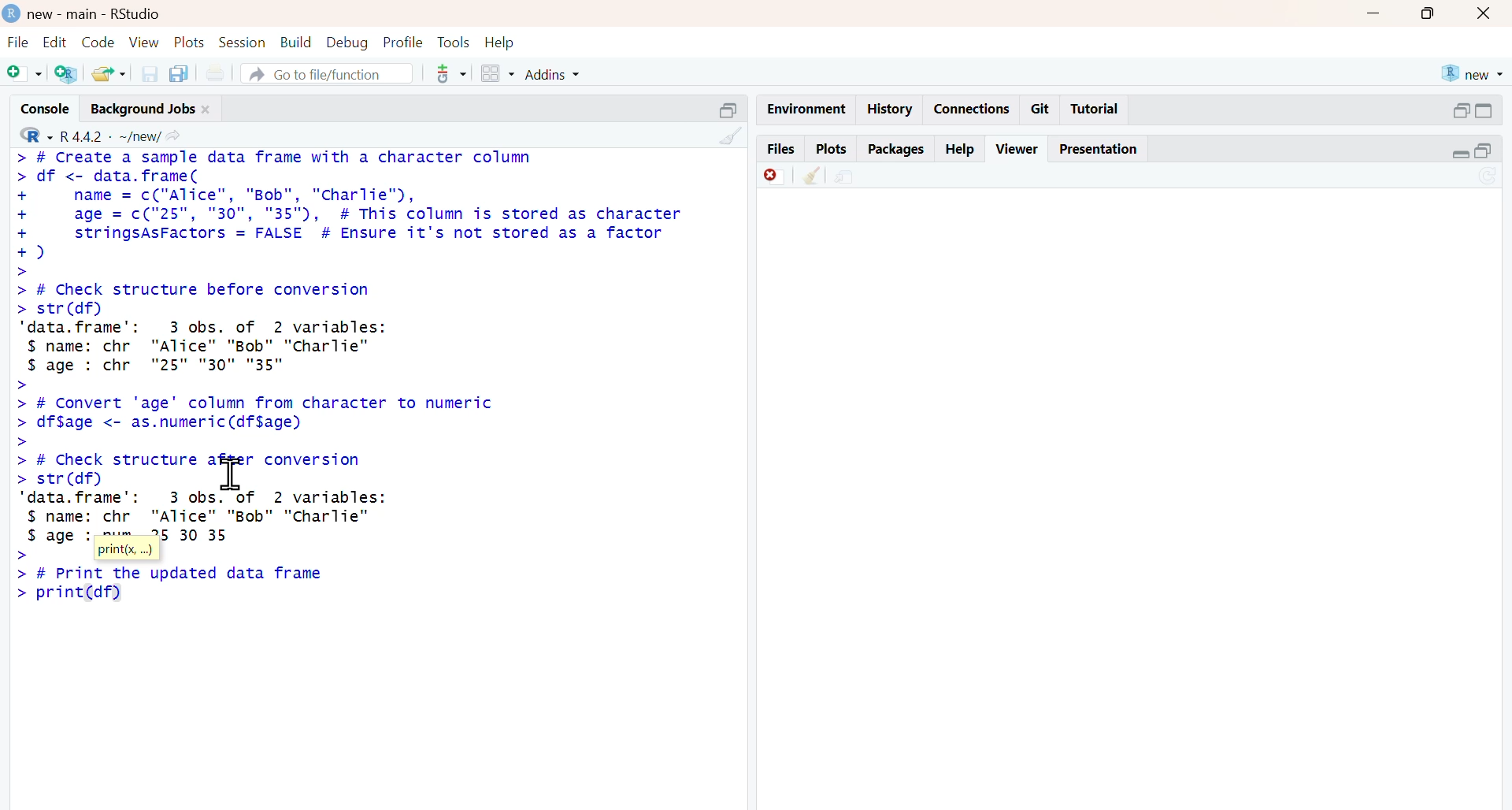  I want to click on , so click(730, 111).